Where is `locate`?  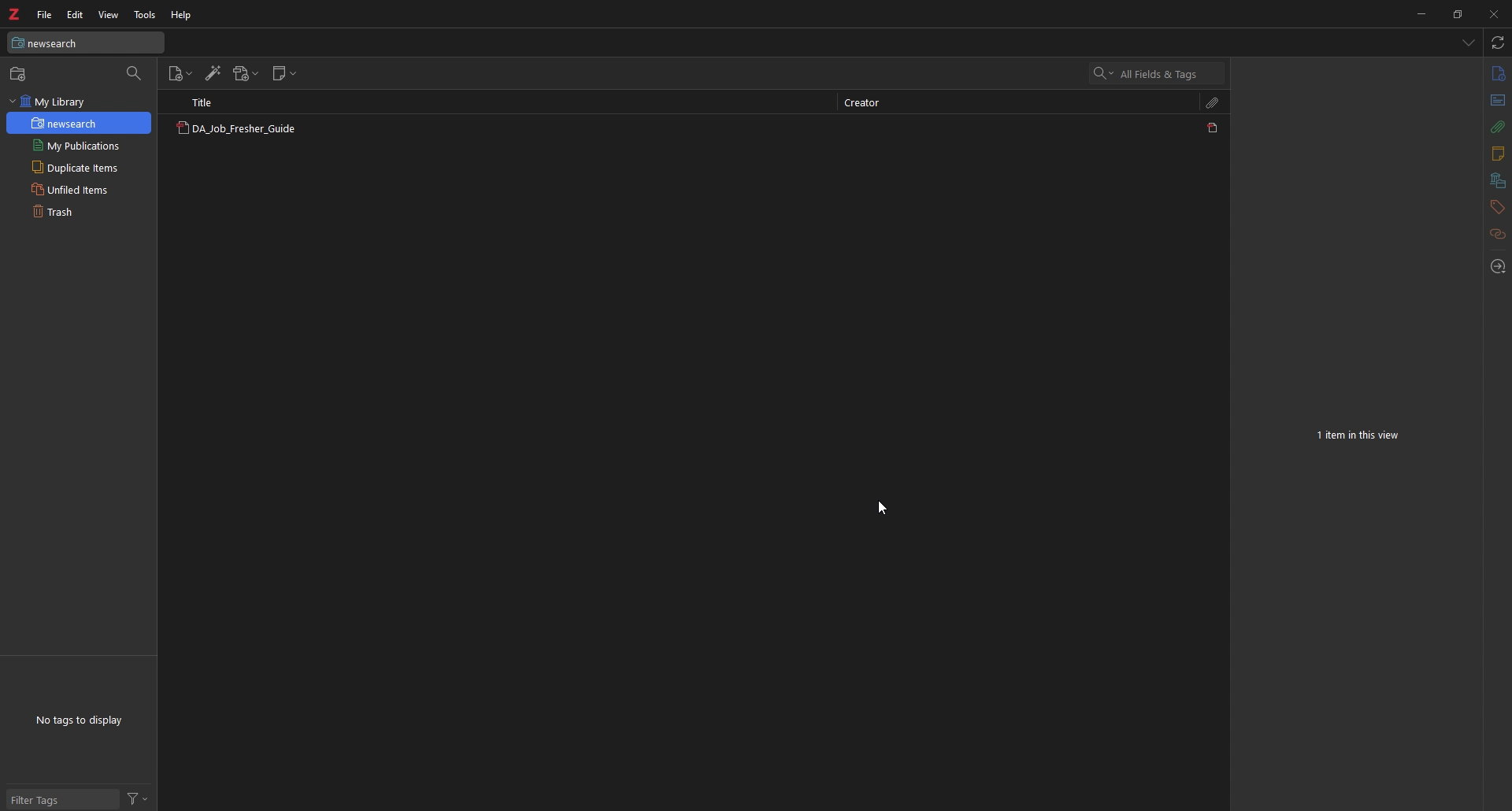
locate is located at coordinates (1496, 268).